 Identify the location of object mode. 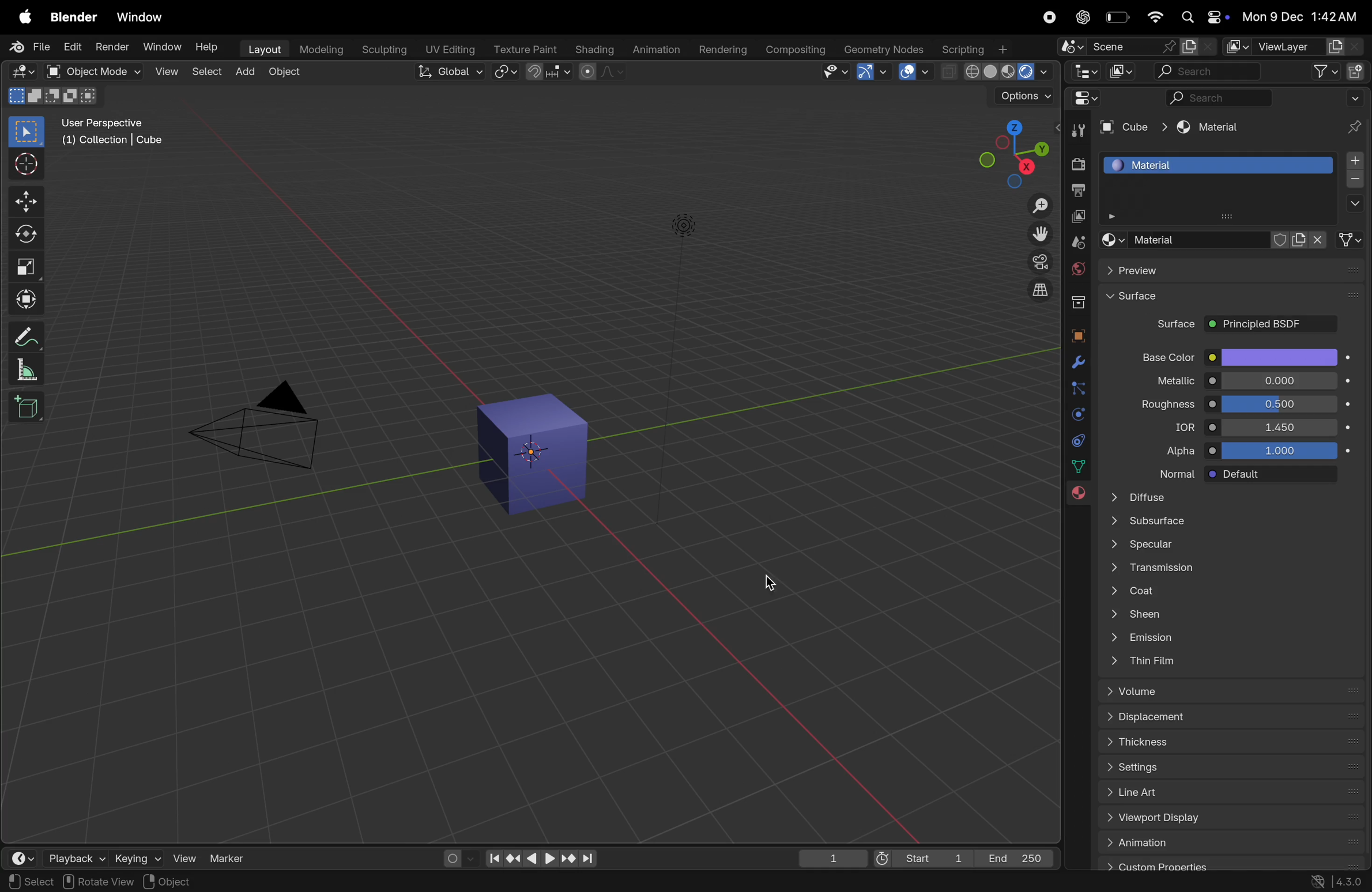
(91, 71).